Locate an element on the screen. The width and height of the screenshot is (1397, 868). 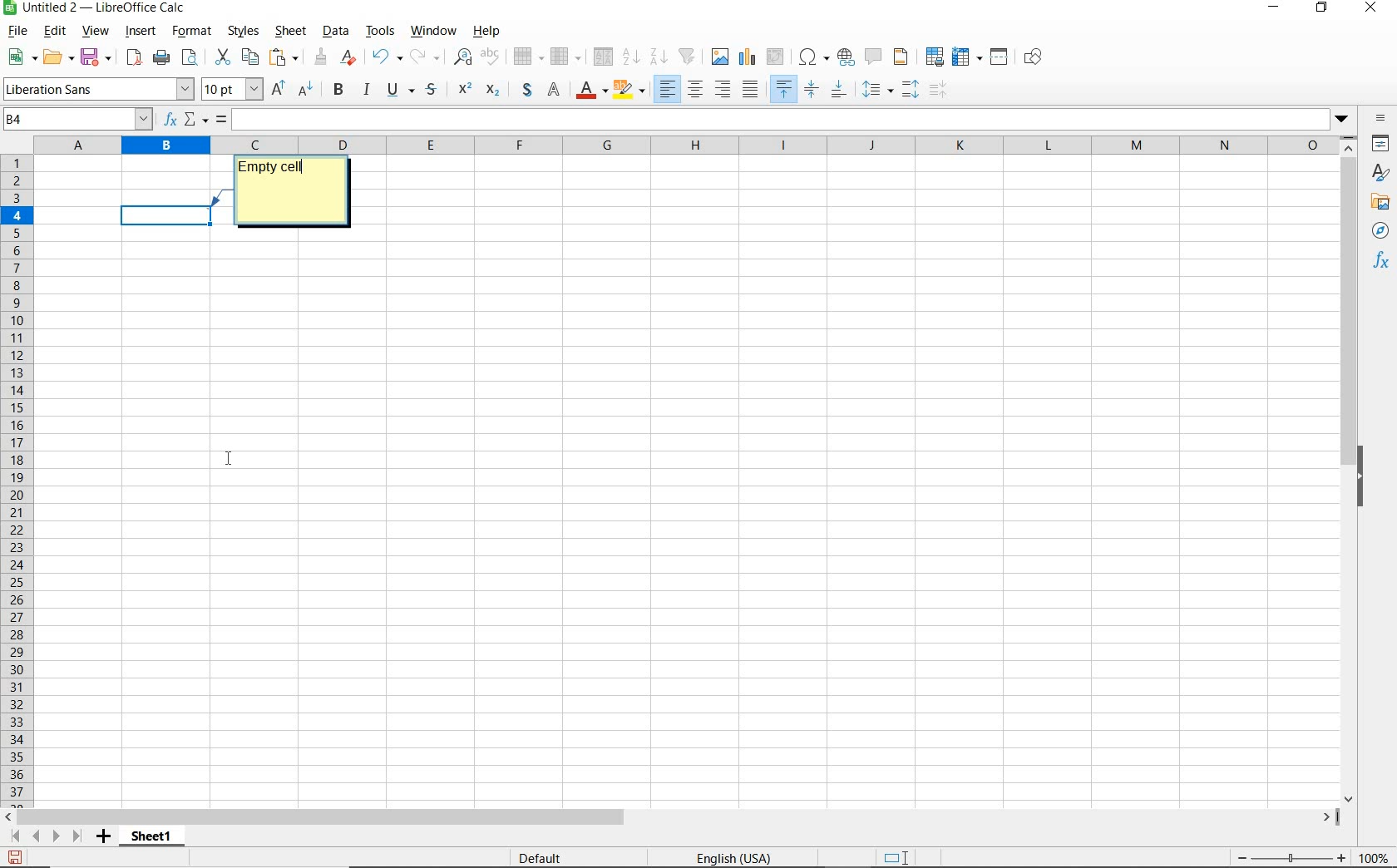
navigator is located at coordinates (1382, 230).